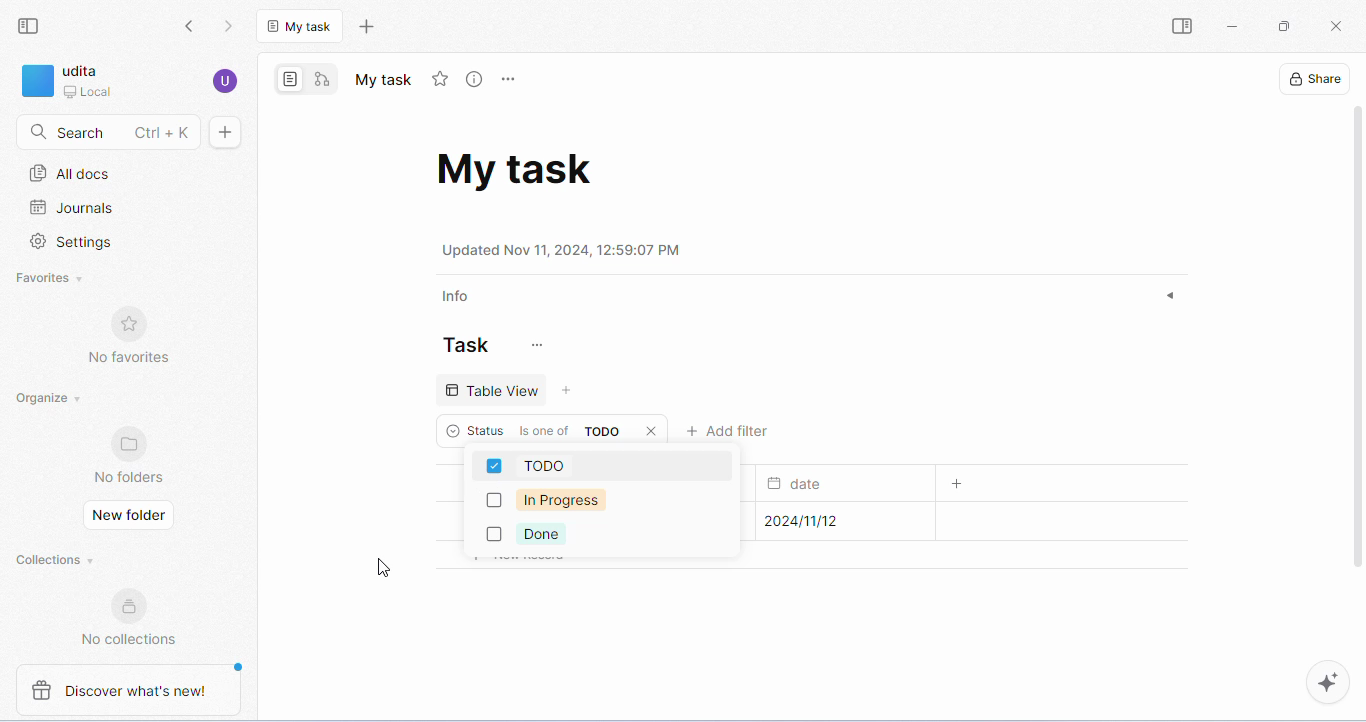  Describe the element at coordinates (321, 79) in the screenshot. I see `edgeless mode` at that location.